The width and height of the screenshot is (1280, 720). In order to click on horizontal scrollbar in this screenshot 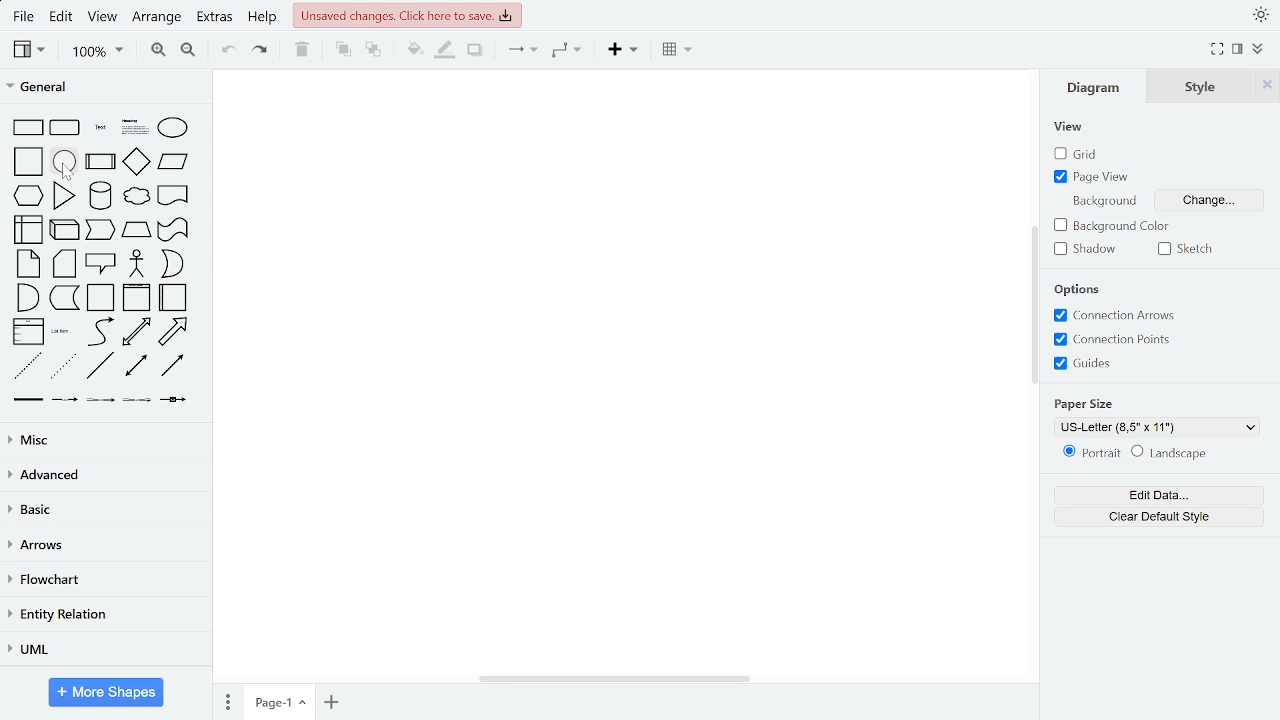, I will do `click(614, 679)`.